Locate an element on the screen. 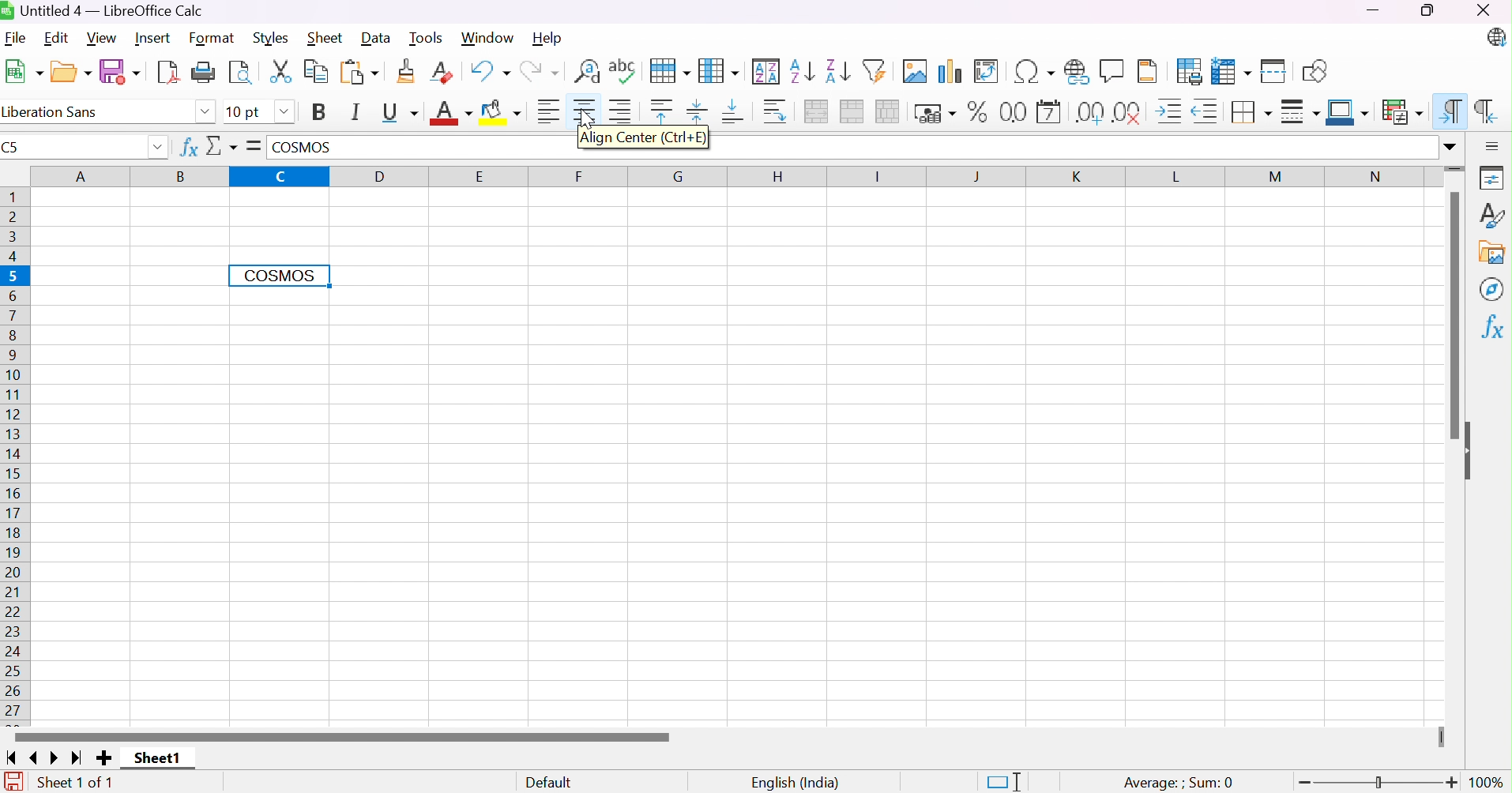 This screenshot has height=793, width=1512. Row Number is located at coordinates (13, 456).